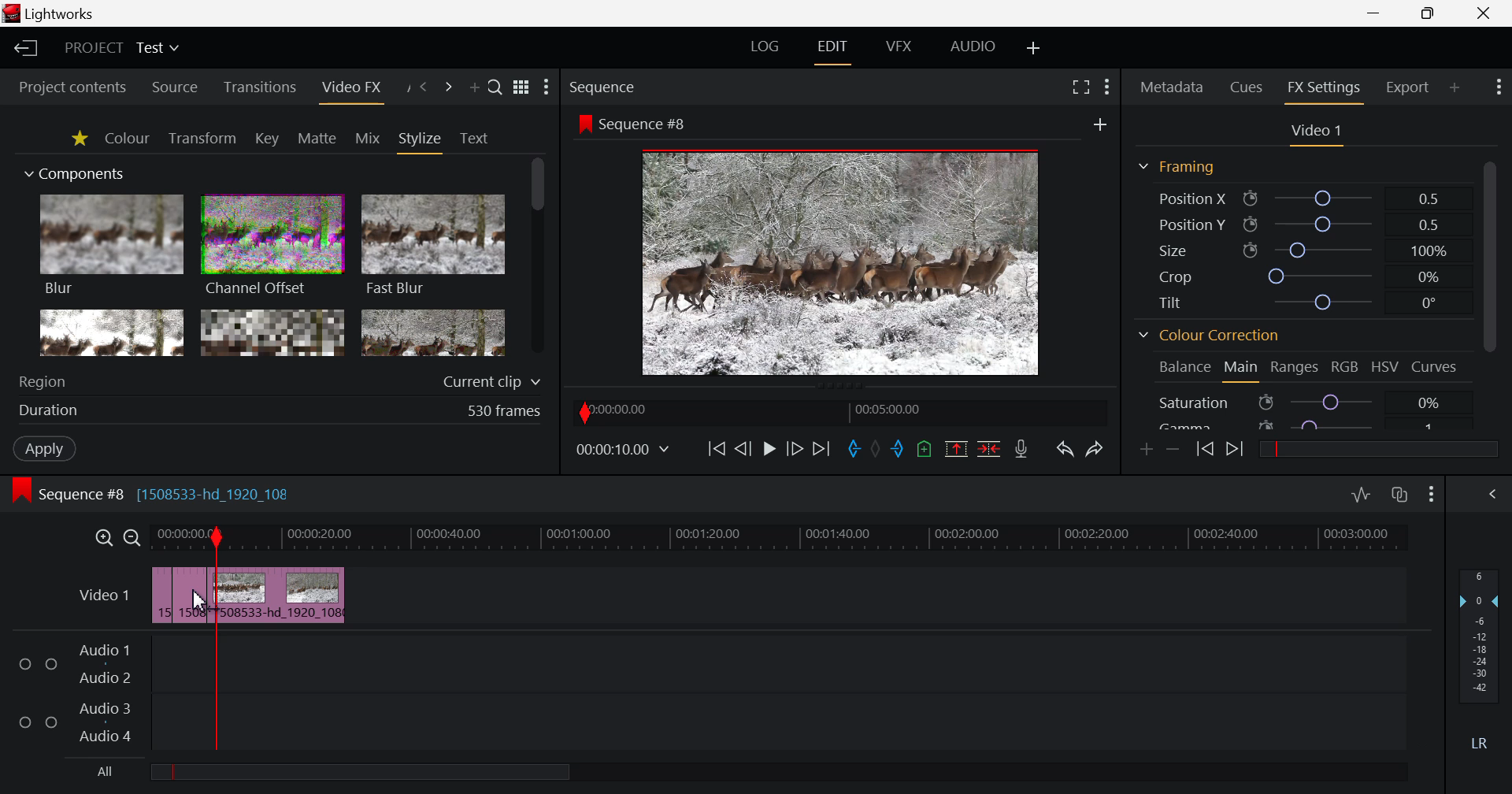 The height and width of the screenshot is (794, 1512). I want to click on EDIT Layout, so click(831, 50).